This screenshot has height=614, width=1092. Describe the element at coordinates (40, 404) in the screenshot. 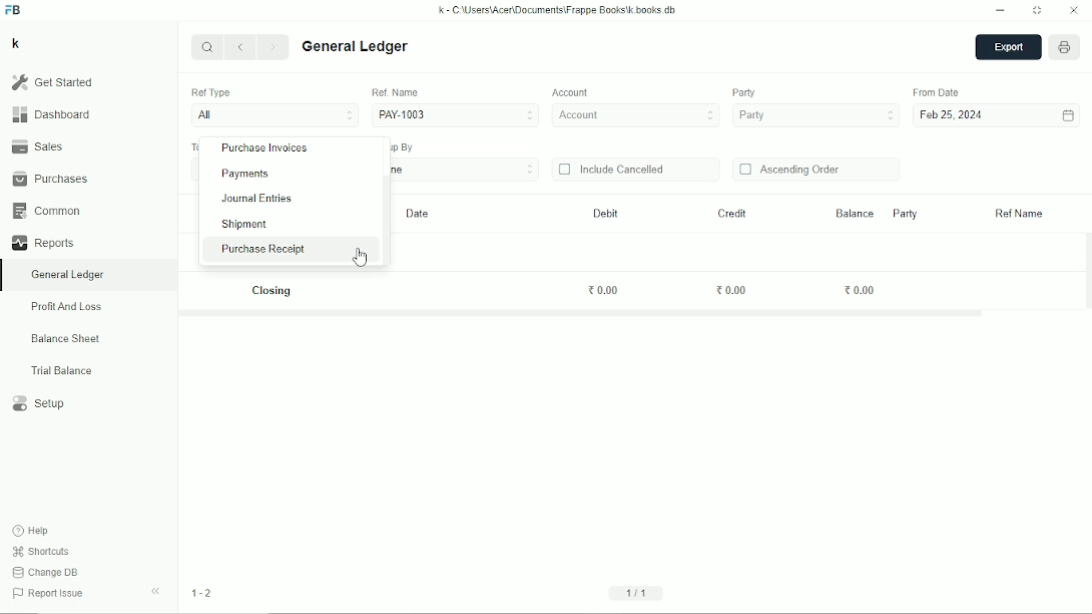

I see `Setup` at that location.